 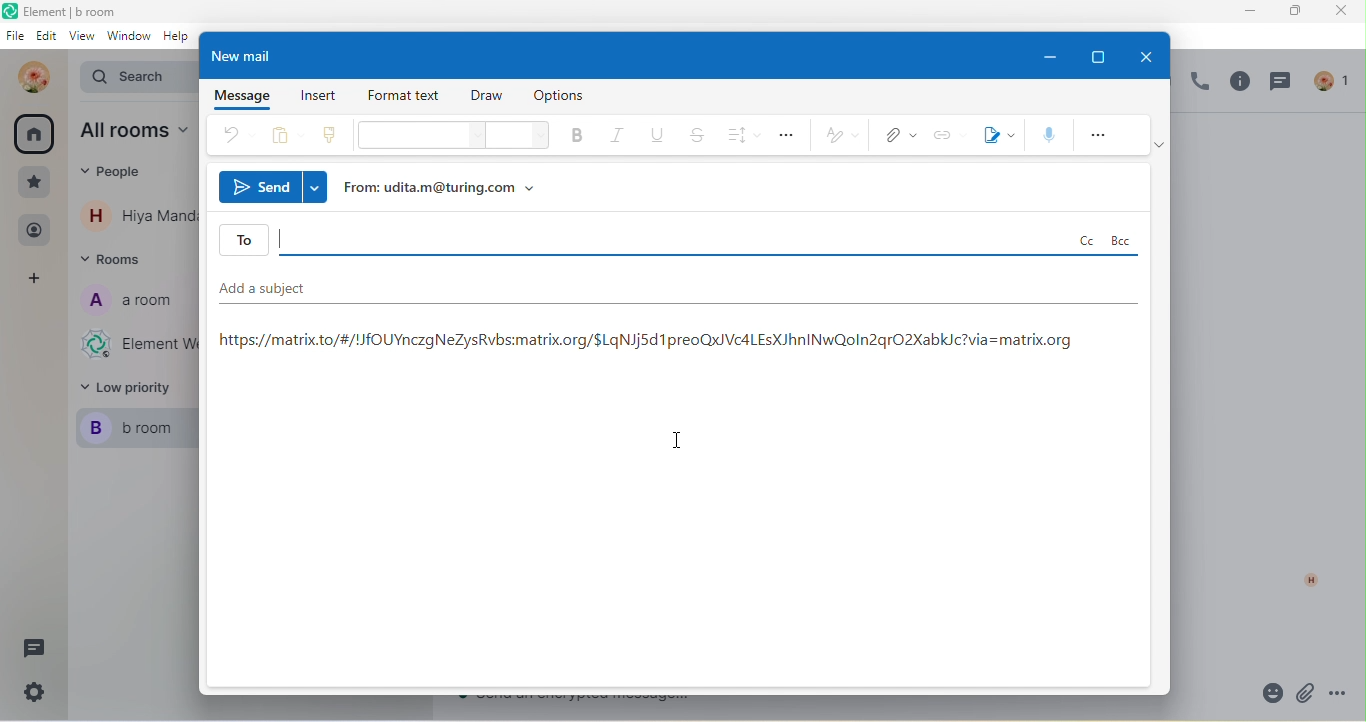 What do you see at coordinates (47, 38) in the screenshot?
I see `edit` at bounding box center [47, 38].